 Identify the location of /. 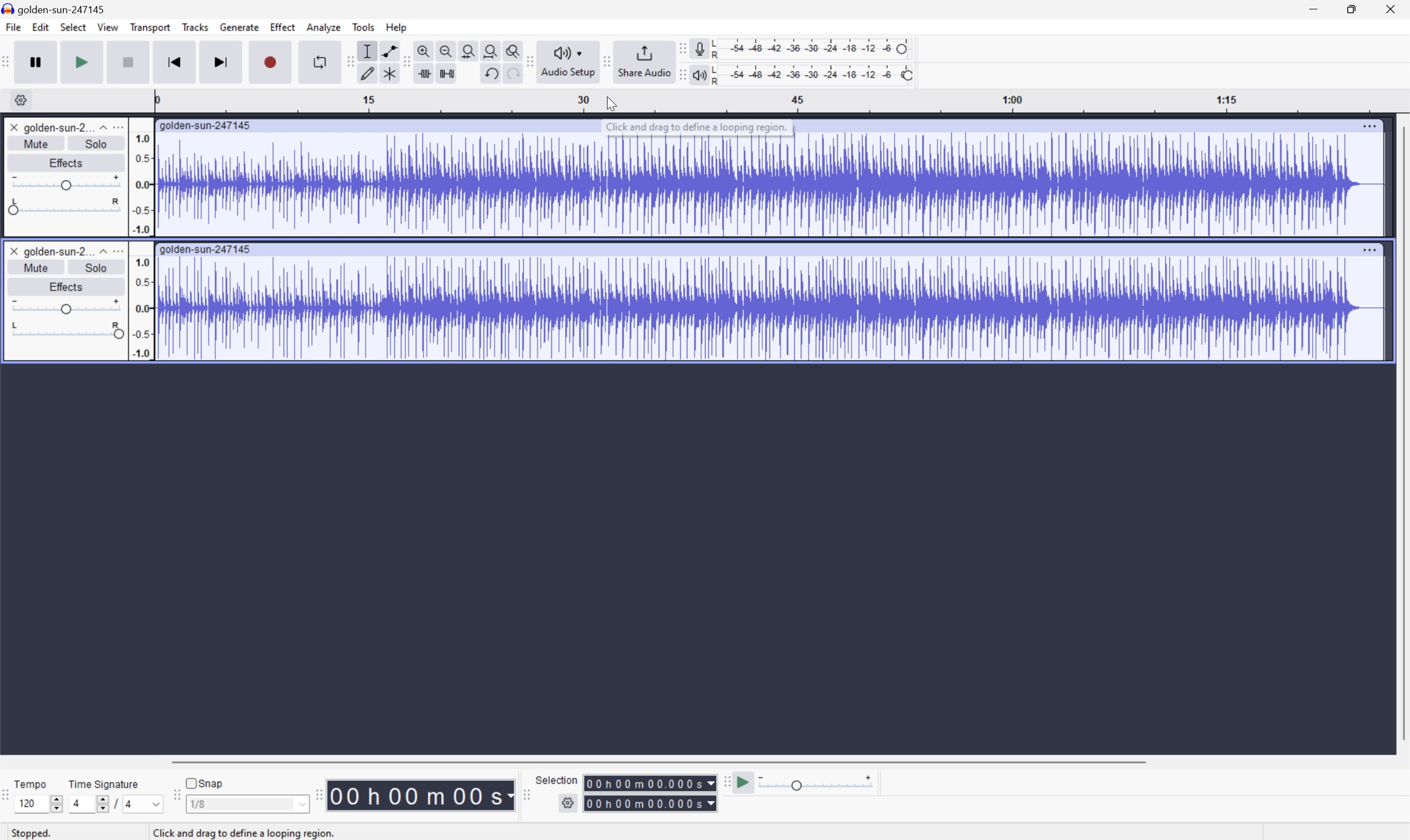
(114, 805).